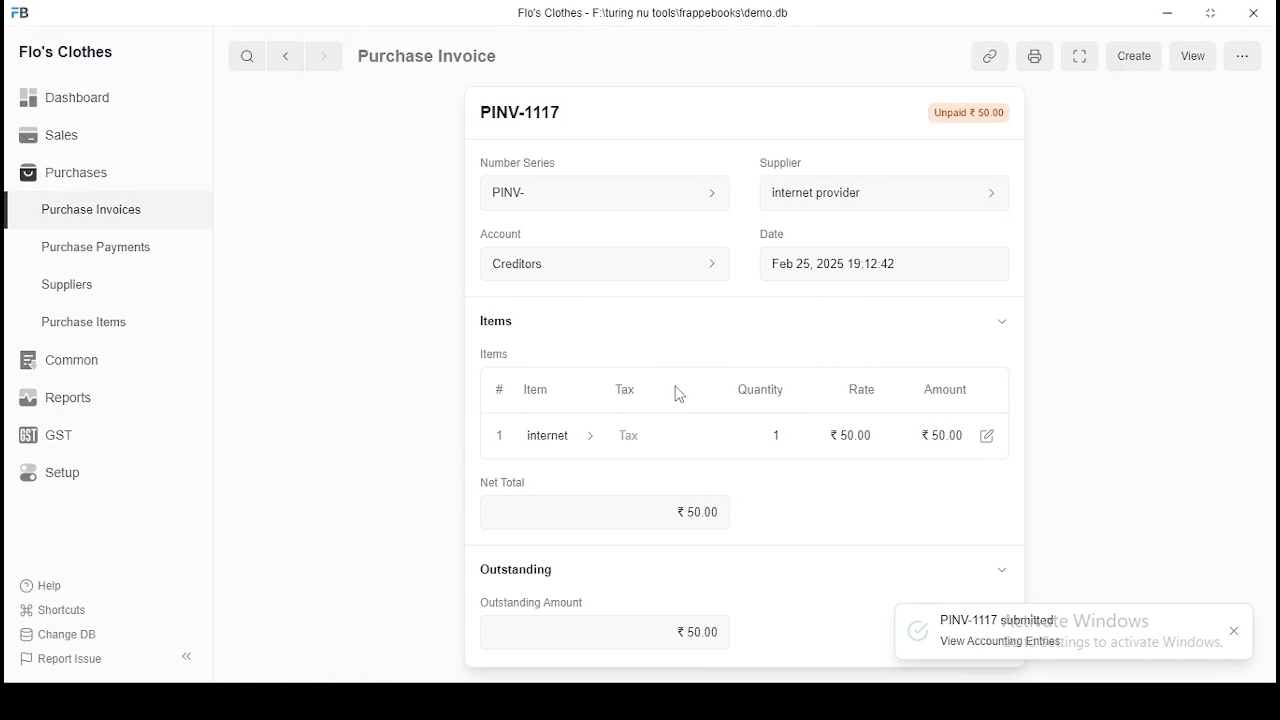  What do you see at coordinates (515, 570) in the screenshot?
I see `outstanding` at bounding box center [515, 570].